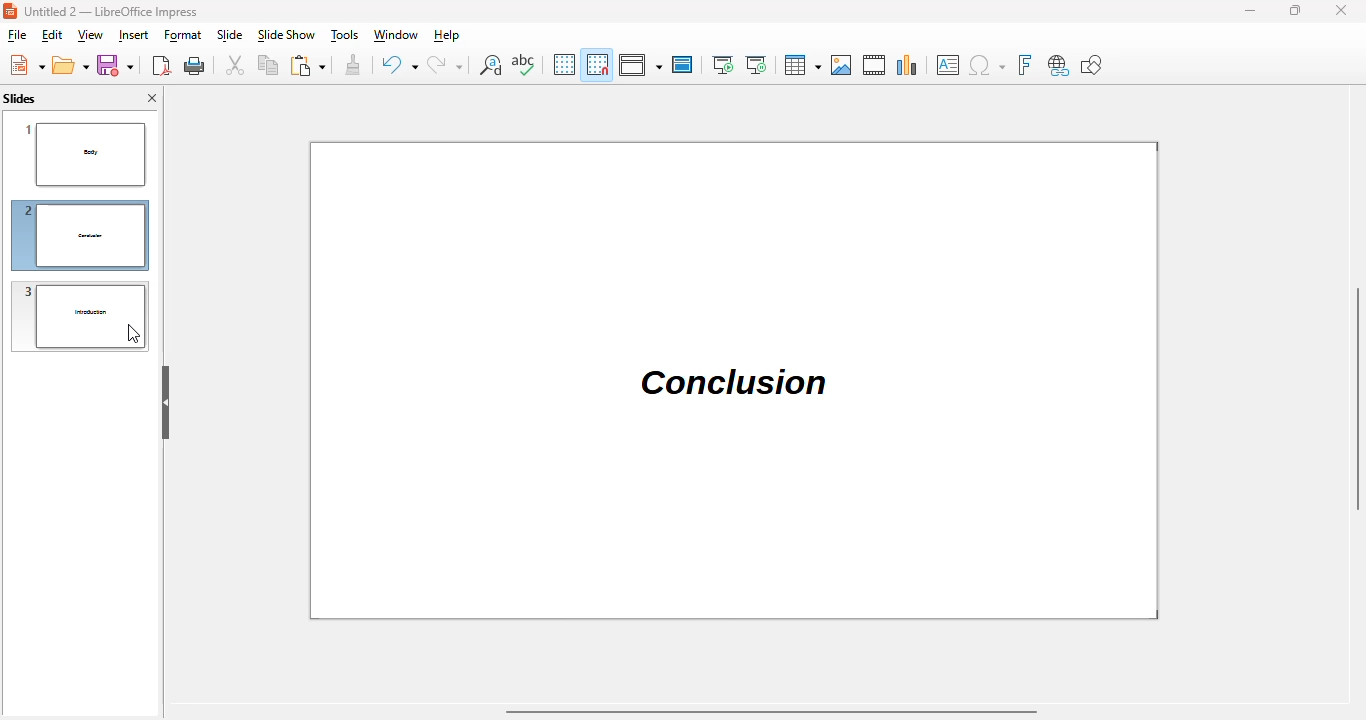 This screenshot has width=1366, height=720. Describe the element at coordinates (233, 65) in the screenshot. I see `cut` at that location.